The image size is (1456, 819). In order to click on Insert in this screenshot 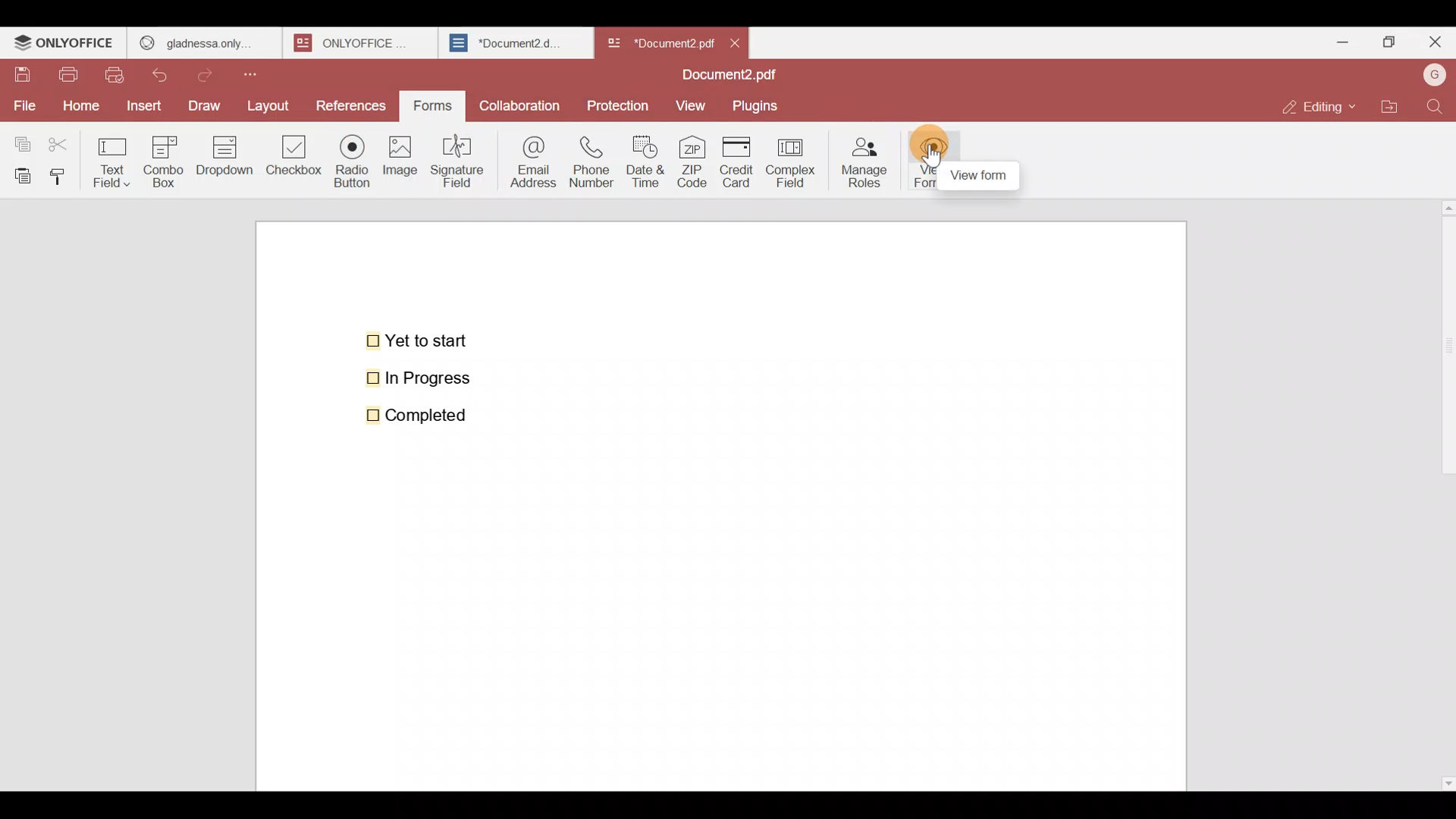, I will do `click(142, 105)`.